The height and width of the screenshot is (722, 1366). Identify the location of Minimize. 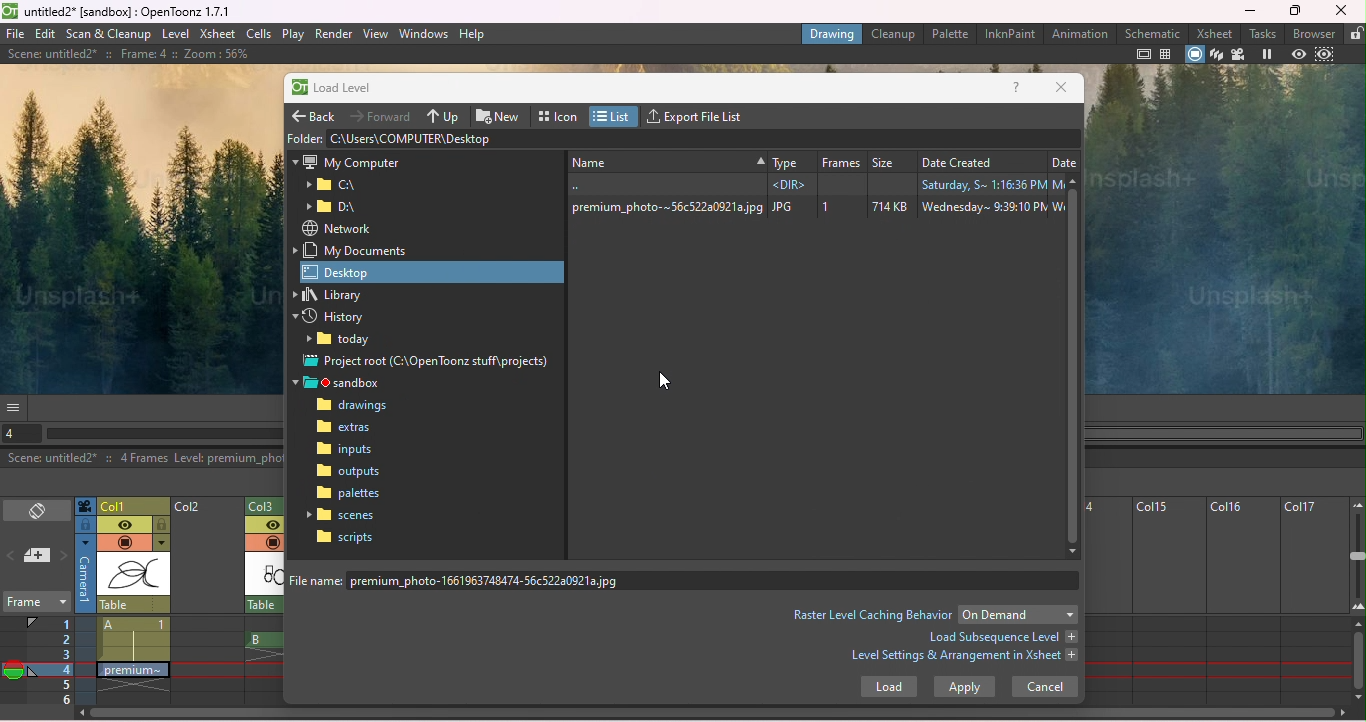
(1250, 10).